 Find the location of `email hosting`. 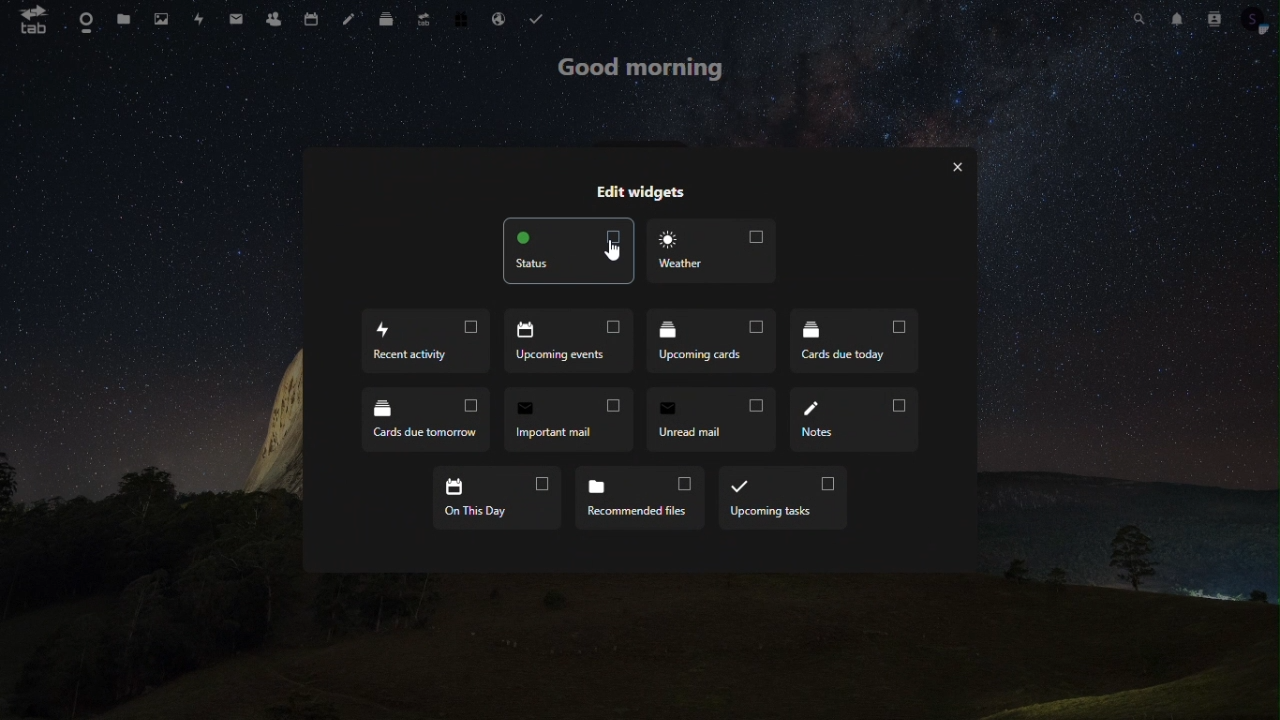

email hosting is located at coordinates (501, 22).